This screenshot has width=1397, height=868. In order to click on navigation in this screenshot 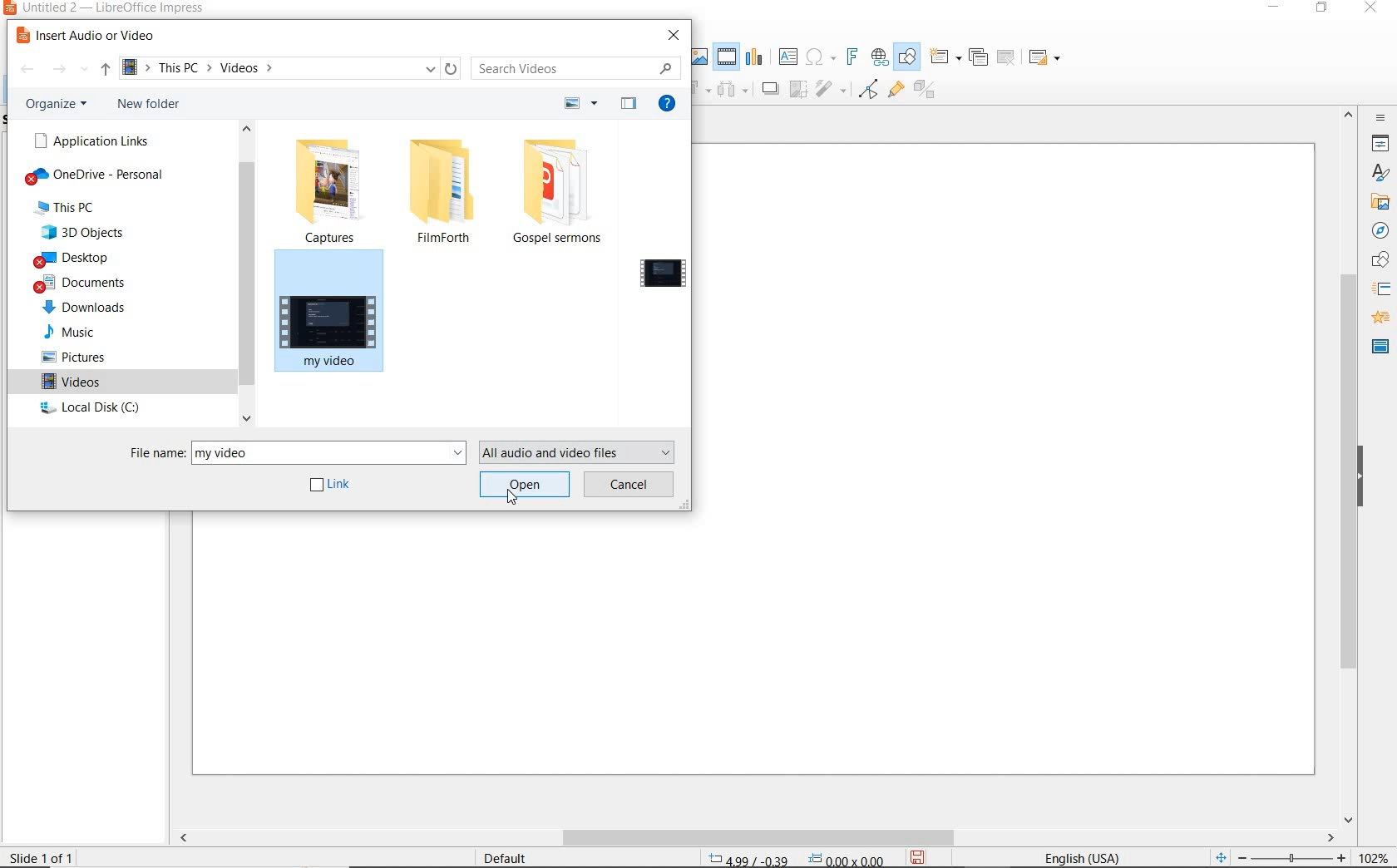, I will do `click(1379, 233)`.